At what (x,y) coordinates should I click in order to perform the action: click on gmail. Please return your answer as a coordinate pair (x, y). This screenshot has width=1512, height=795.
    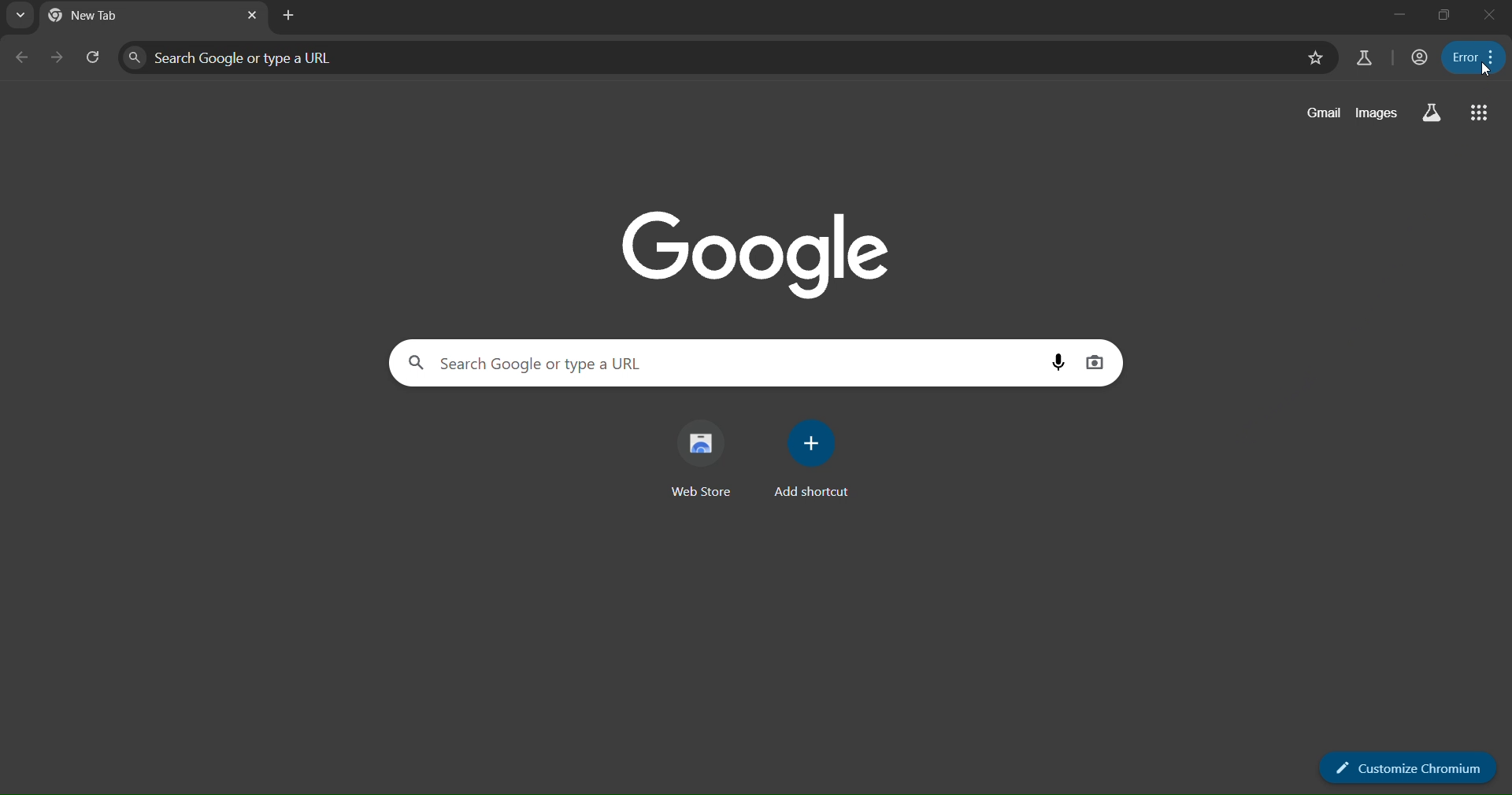
    Looking at the image, I should click on (1326, 113).